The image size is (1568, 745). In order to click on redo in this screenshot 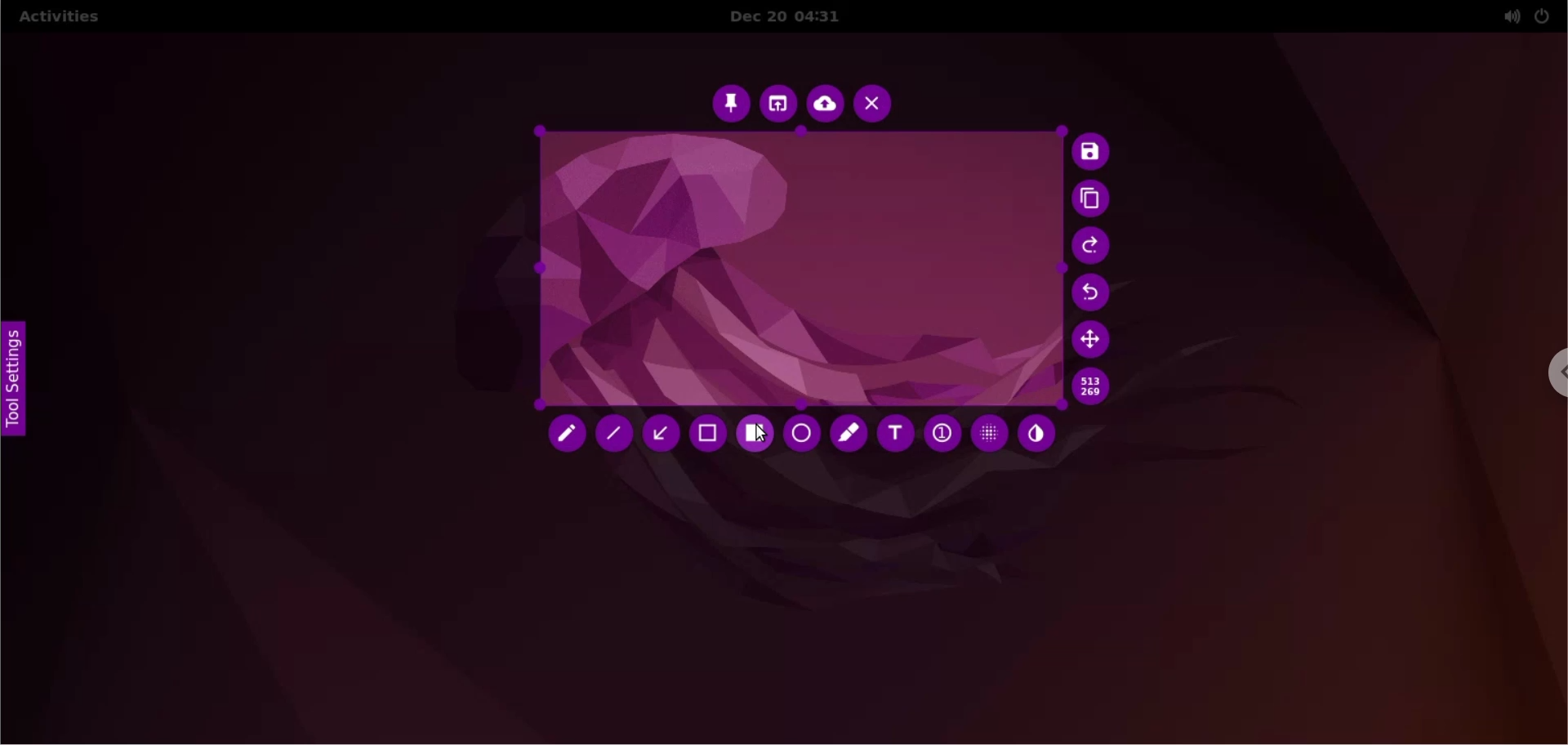, I will do `click(1091, 247)`.